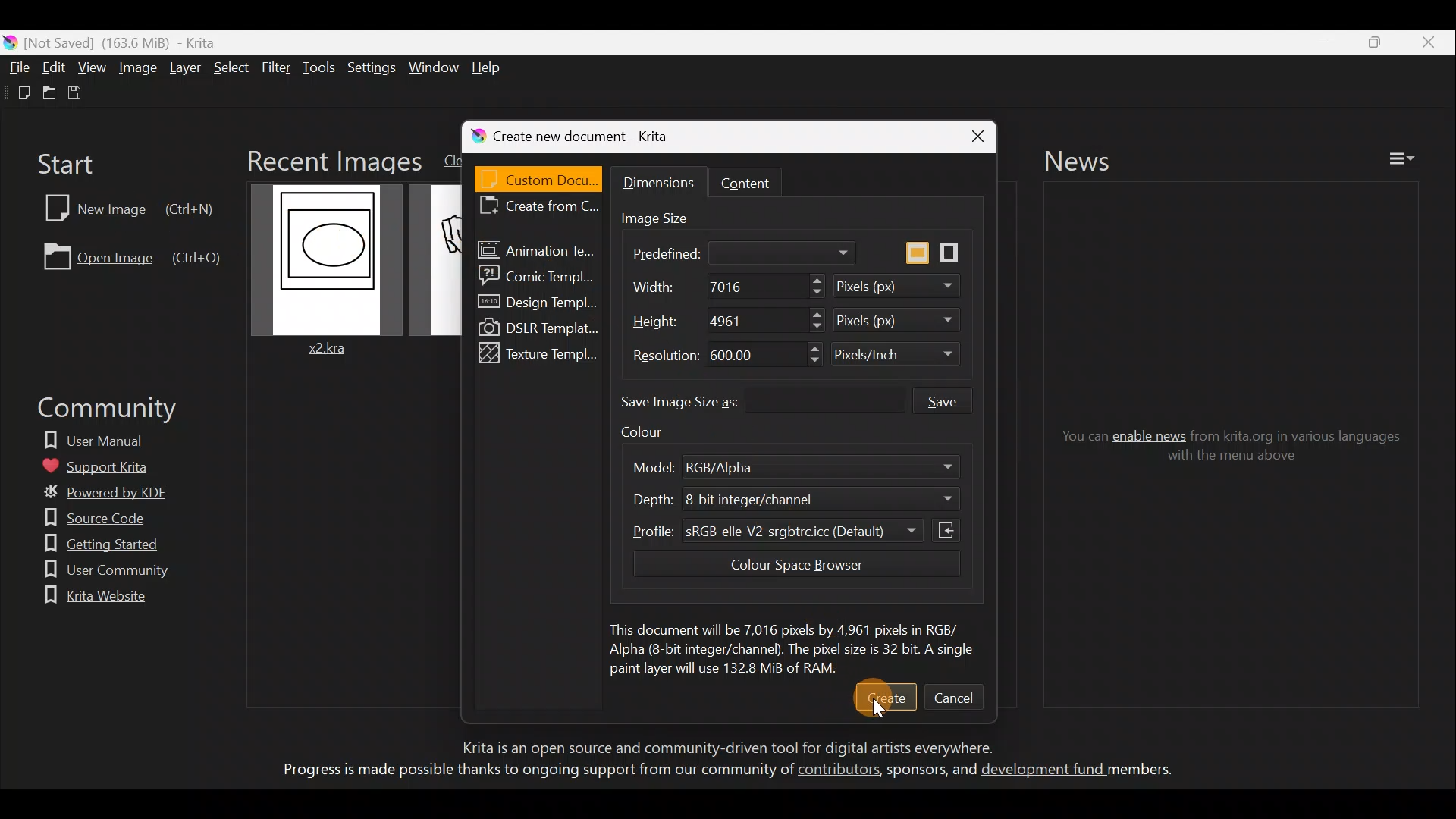  Describe the element at coordinates (105, 437) in the screenshot. I see `User manual` at that location.